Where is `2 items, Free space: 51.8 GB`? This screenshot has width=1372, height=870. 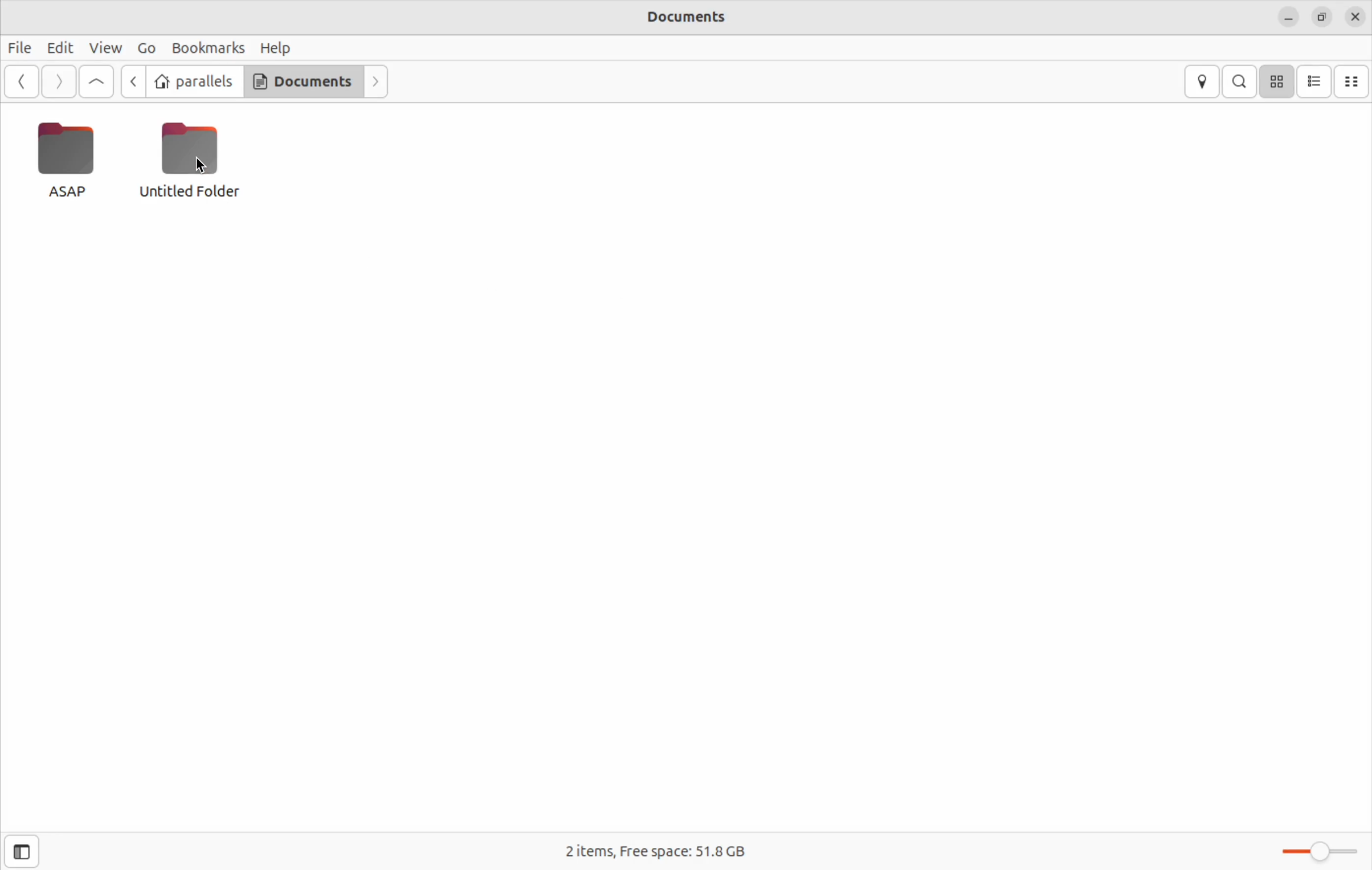 2 items, Free space: 51.8 GB is located at coordinates (665, 847).